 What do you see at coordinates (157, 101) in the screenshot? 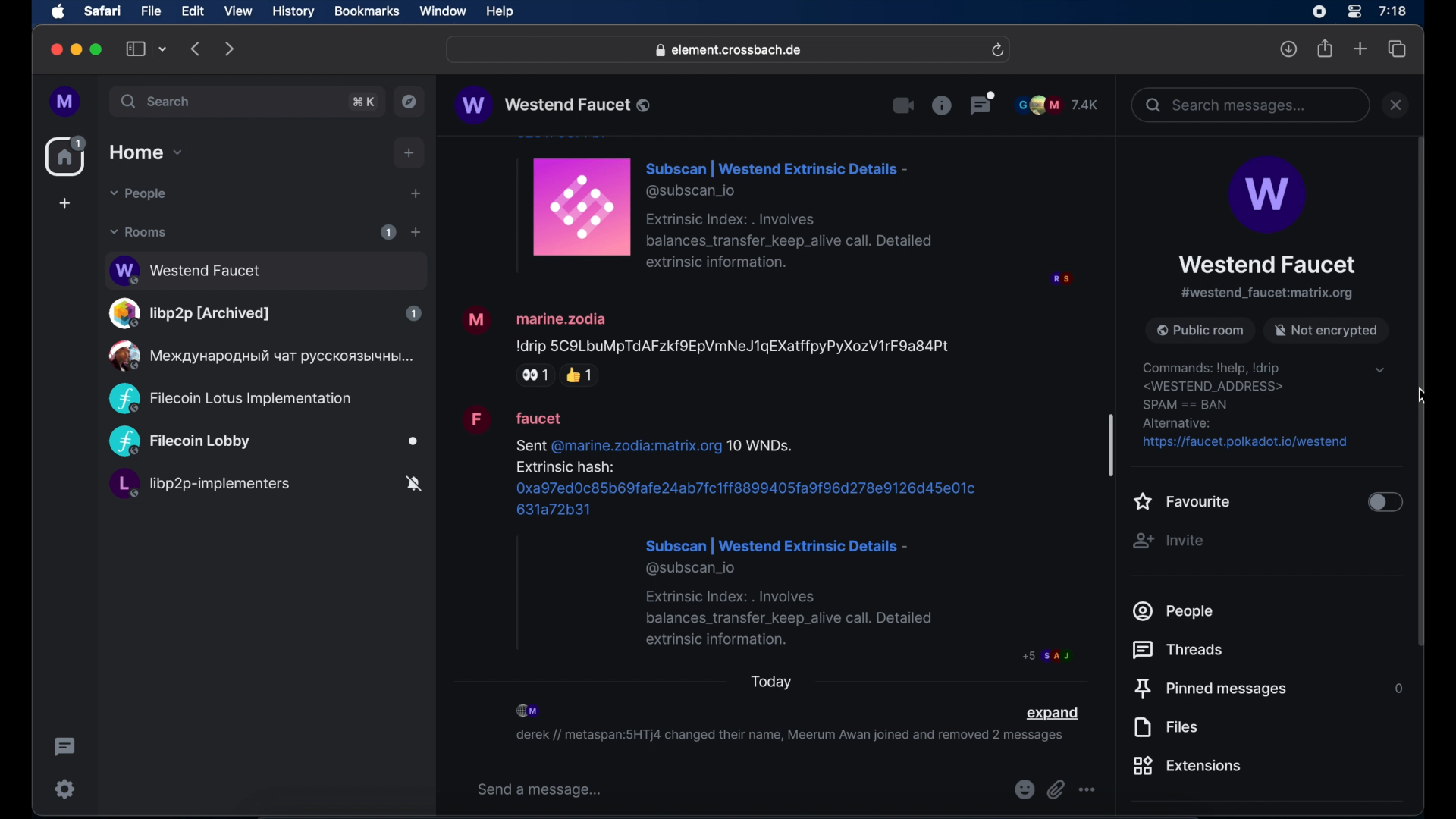
I see `search` at bounding box center [157, 101].